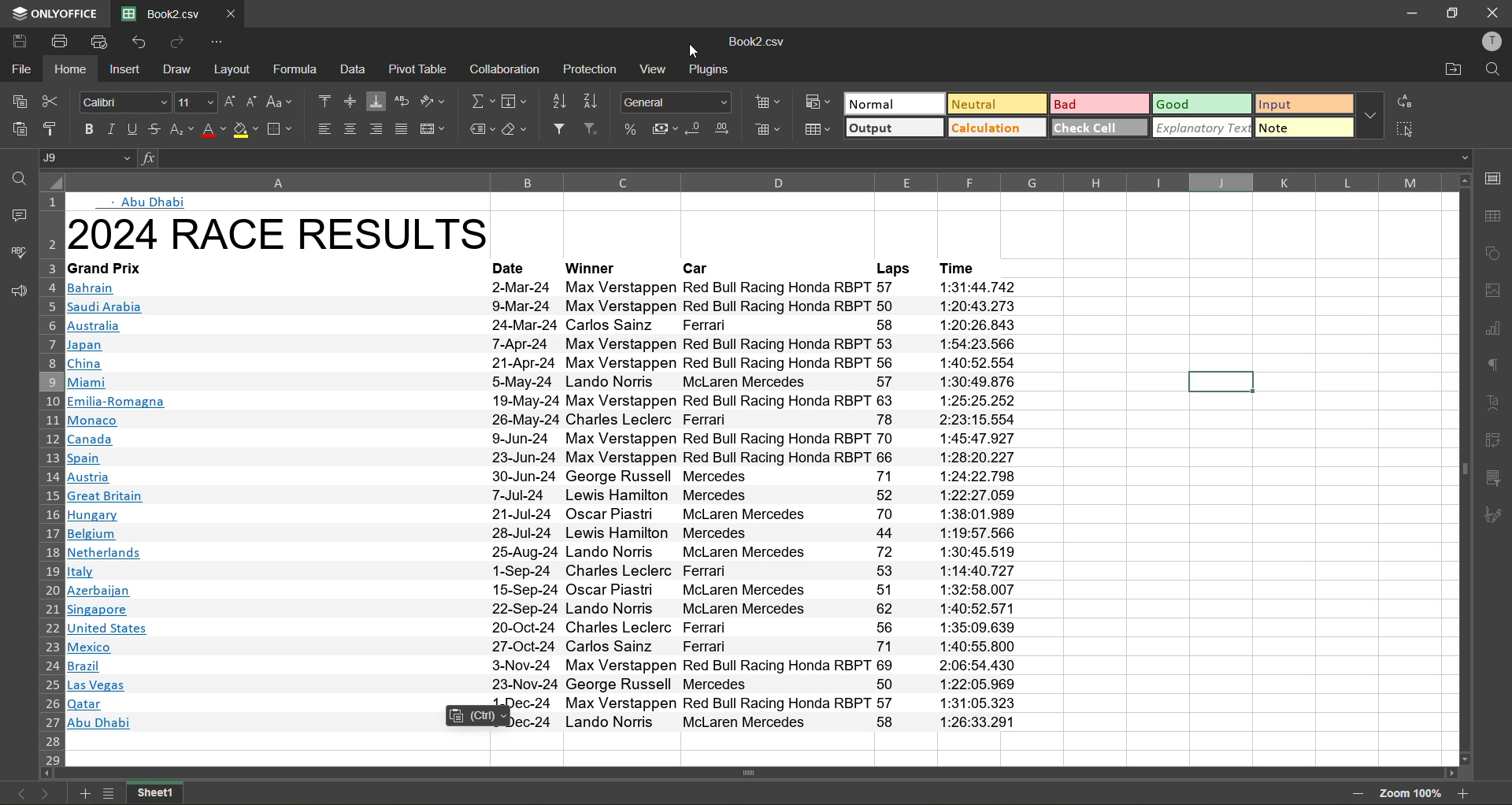 The image size is (1512, 805). What do you see at coordinates (48, 13) in the screenshot?
I see `app name` at bounding box center [48, 13].